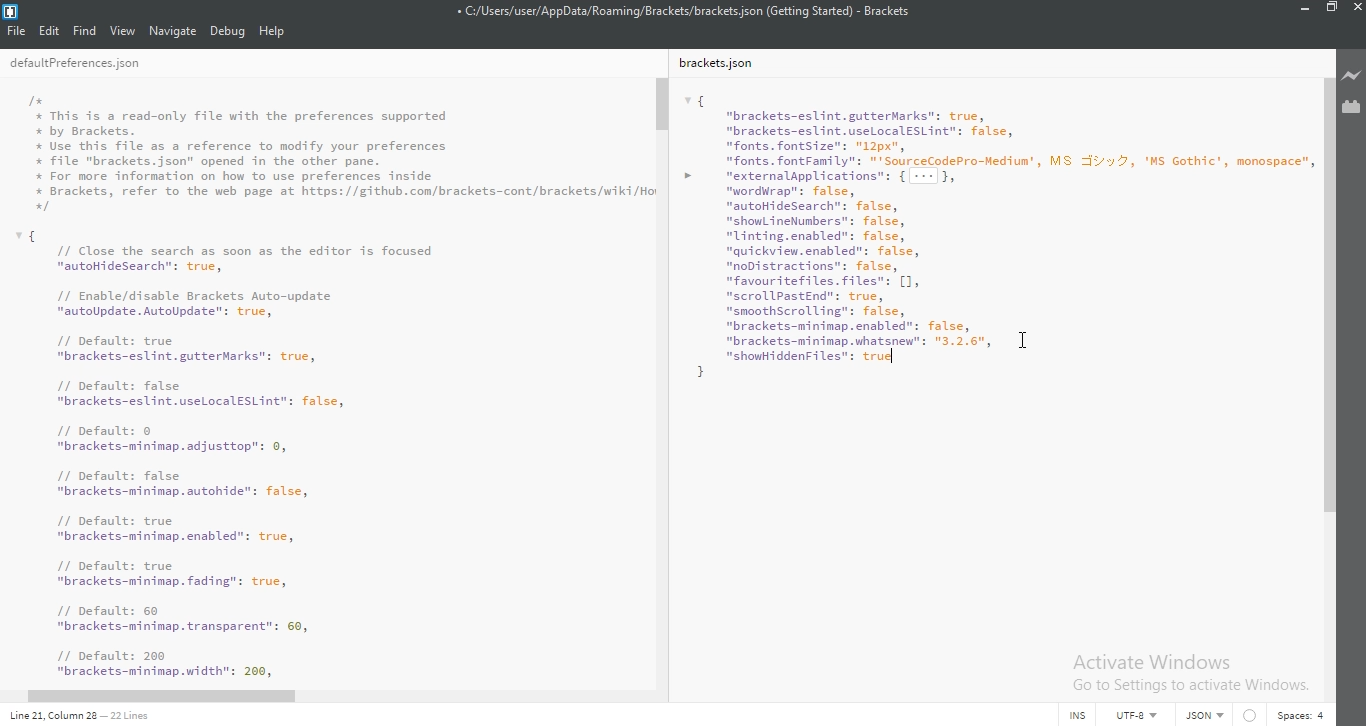  What do you see at coordinates (1301, 11) in the screenshot?
I see `minimise` at bounding box center [1301, 11].